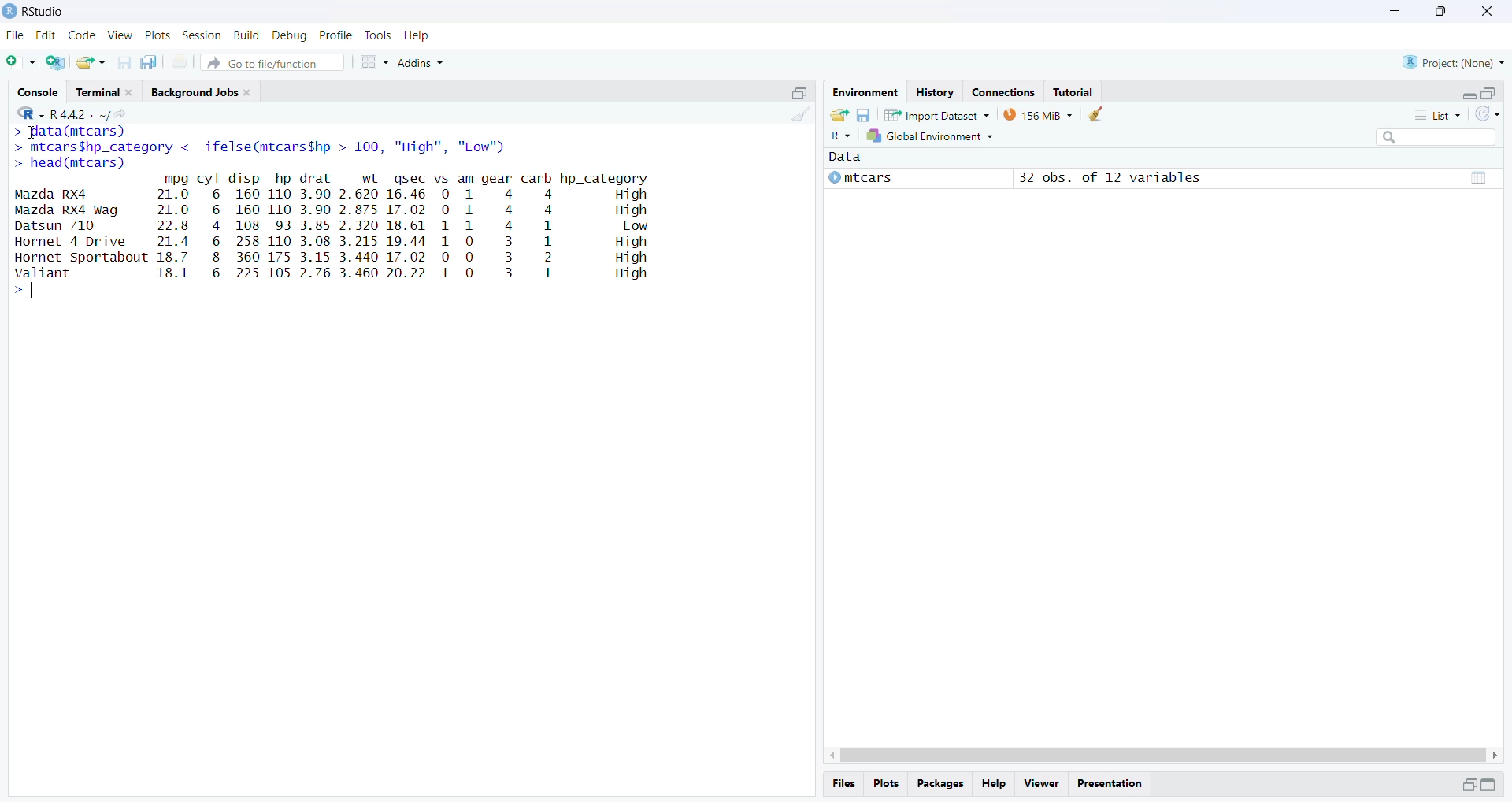 Image resolution: width=1512 pixels, height=802 pixels. What do you see at coordinates (128, 62) in the screenshot?
I see `Save current document (Ctrl + S)` at bounding box center [128, 62].